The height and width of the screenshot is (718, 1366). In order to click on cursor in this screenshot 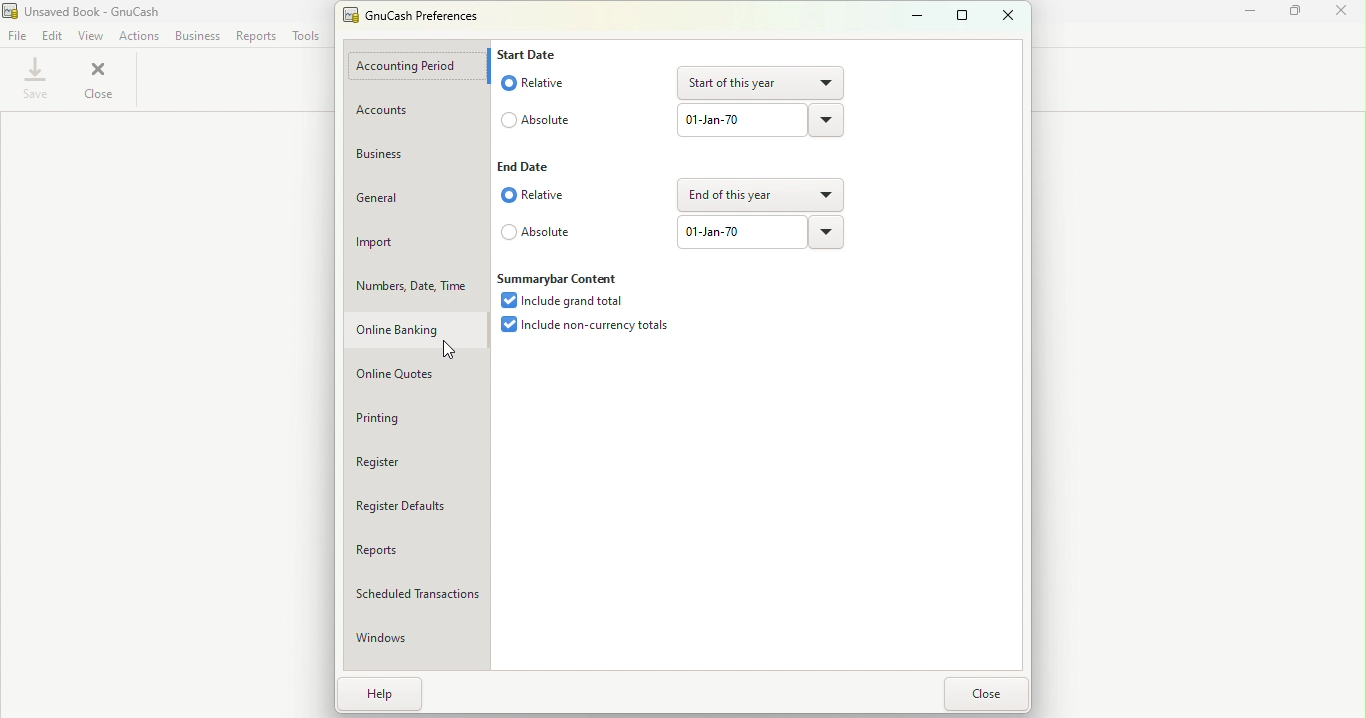, I will do `click(446, 351)`.